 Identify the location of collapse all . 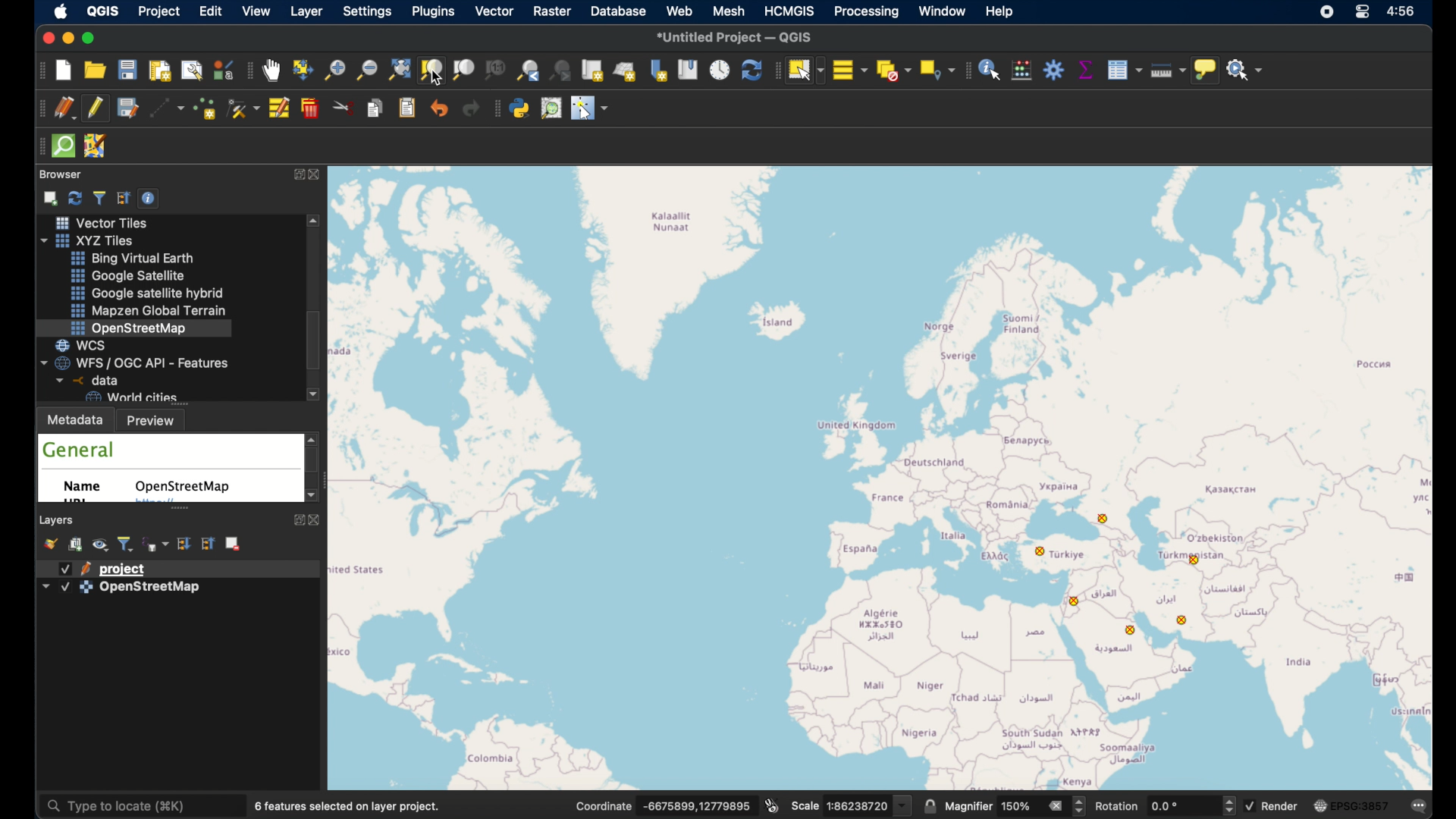
(124, 196).